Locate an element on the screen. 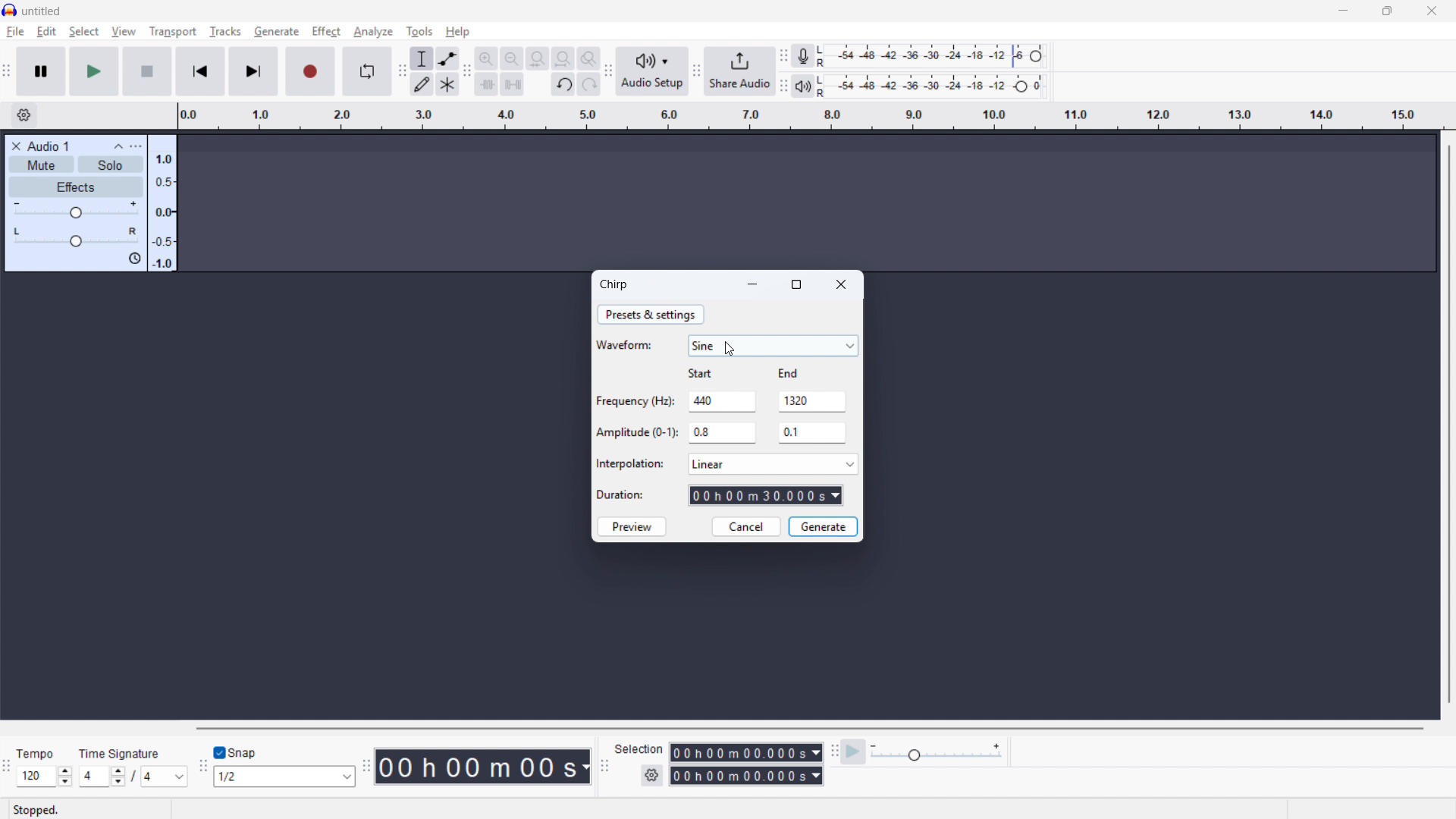  Undo  is located at coordinates (564, 85).